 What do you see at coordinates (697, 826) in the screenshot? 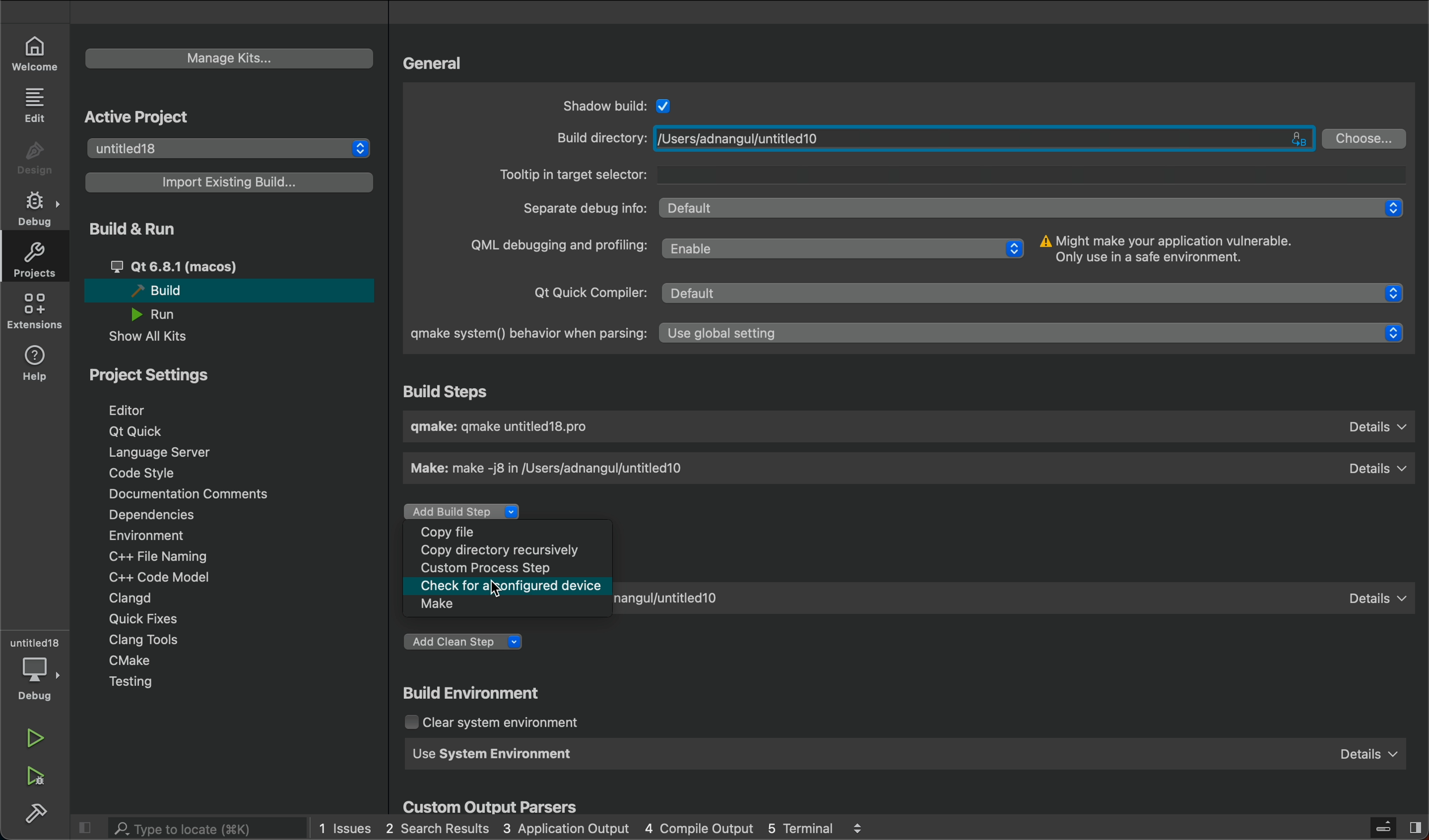
I see `4 Compile Output` at bounding box center [697, 826].